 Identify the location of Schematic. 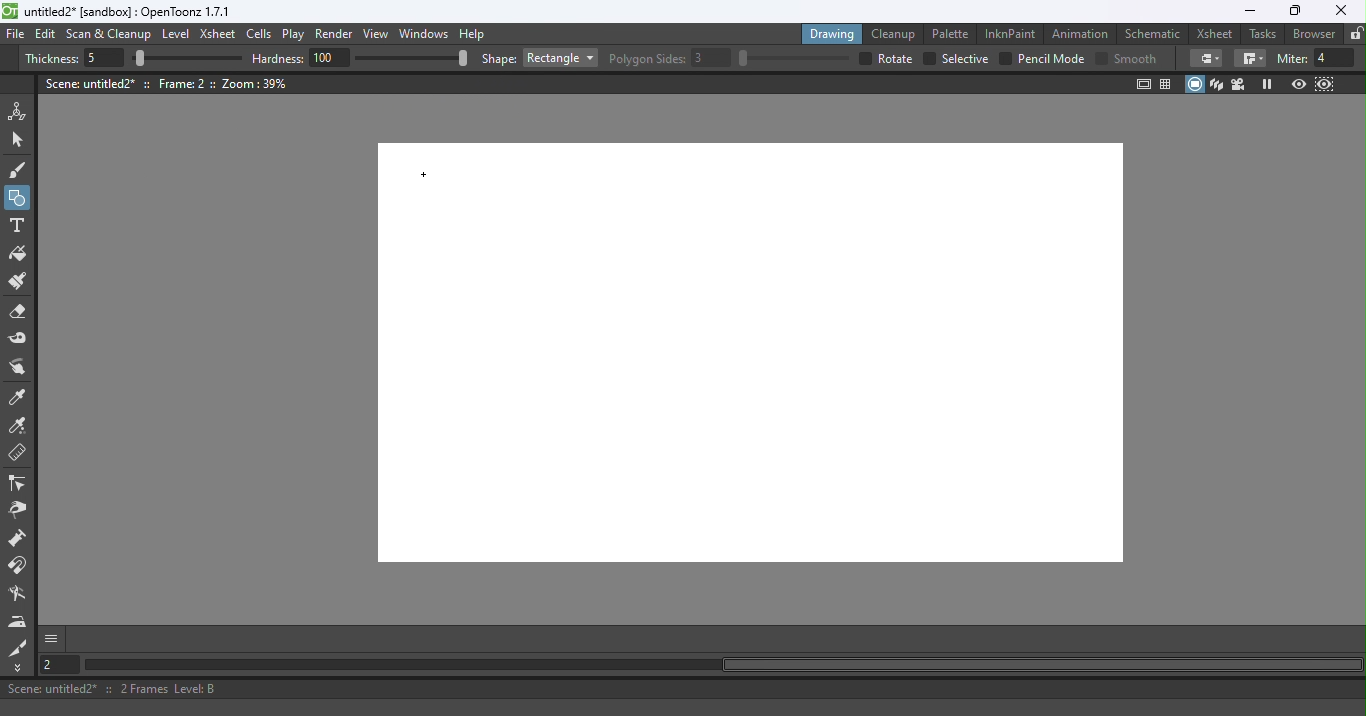
(1153, 34).